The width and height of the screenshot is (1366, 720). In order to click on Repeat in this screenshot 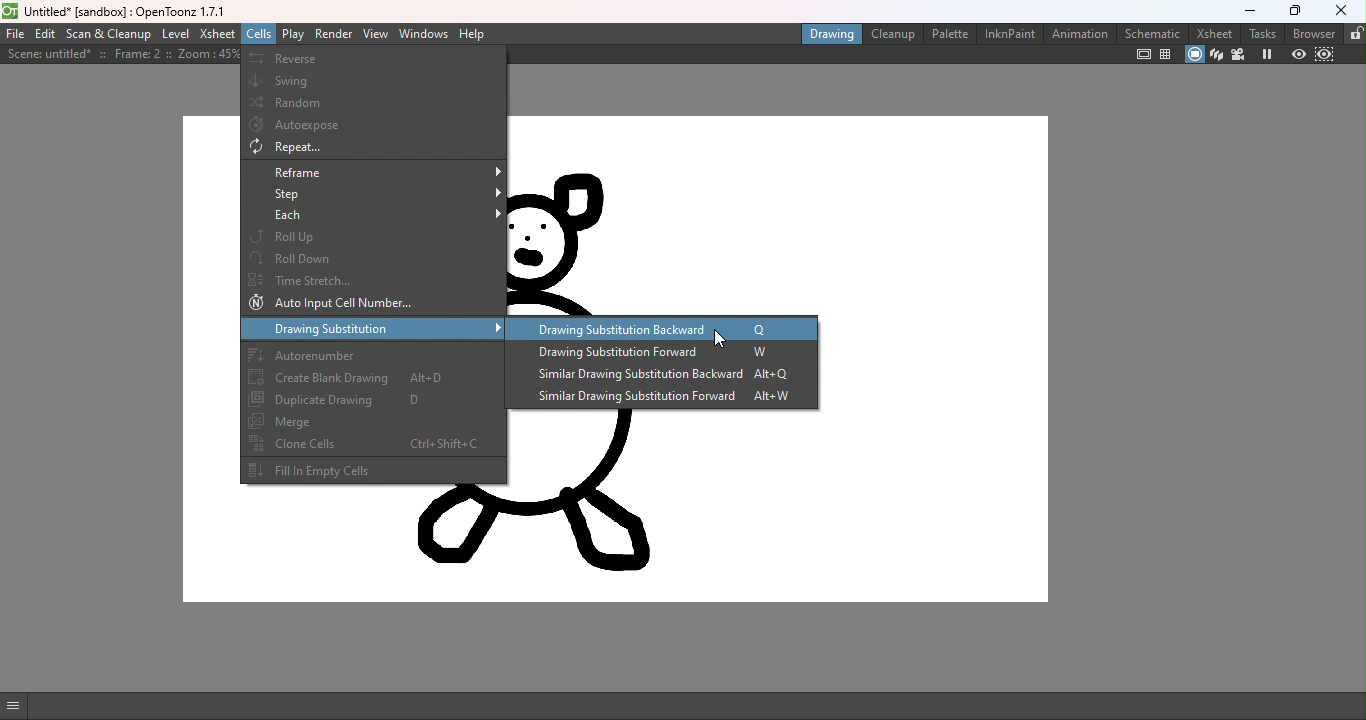, I will do `click(373, 148)`.